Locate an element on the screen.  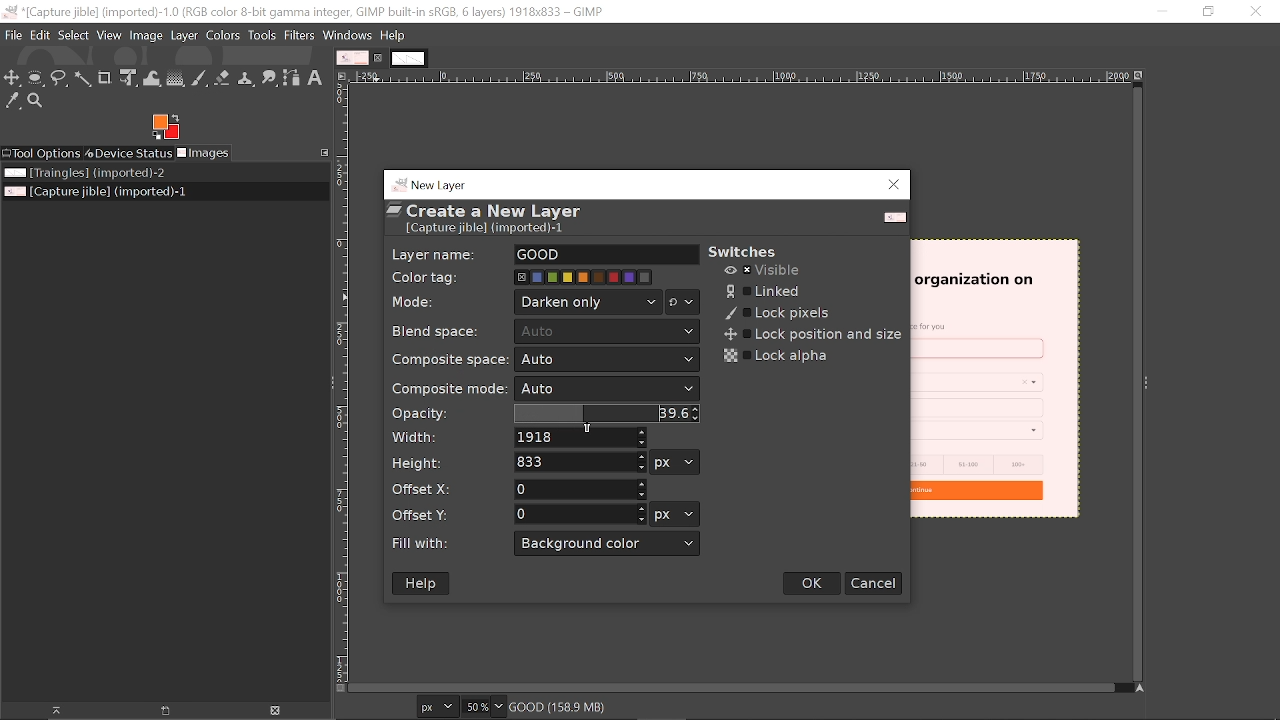
Edit is located at coordinates (40, 35).